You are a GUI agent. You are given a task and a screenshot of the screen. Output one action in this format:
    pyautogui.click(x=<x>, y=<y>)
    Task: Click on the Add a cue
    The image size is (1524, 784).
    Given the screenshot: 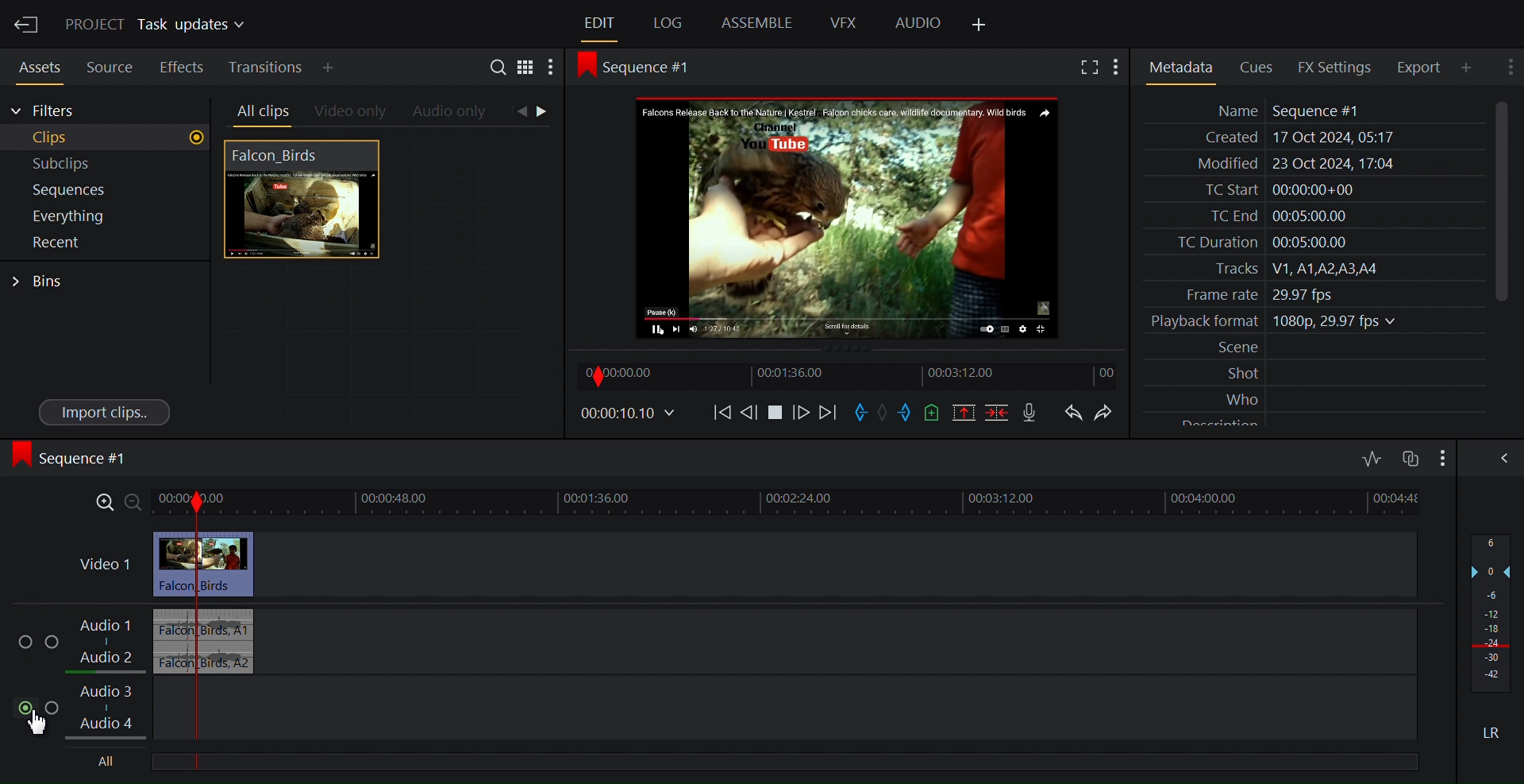 What is the action you would take?
    pyautogui.click(x=935, y=413)
    